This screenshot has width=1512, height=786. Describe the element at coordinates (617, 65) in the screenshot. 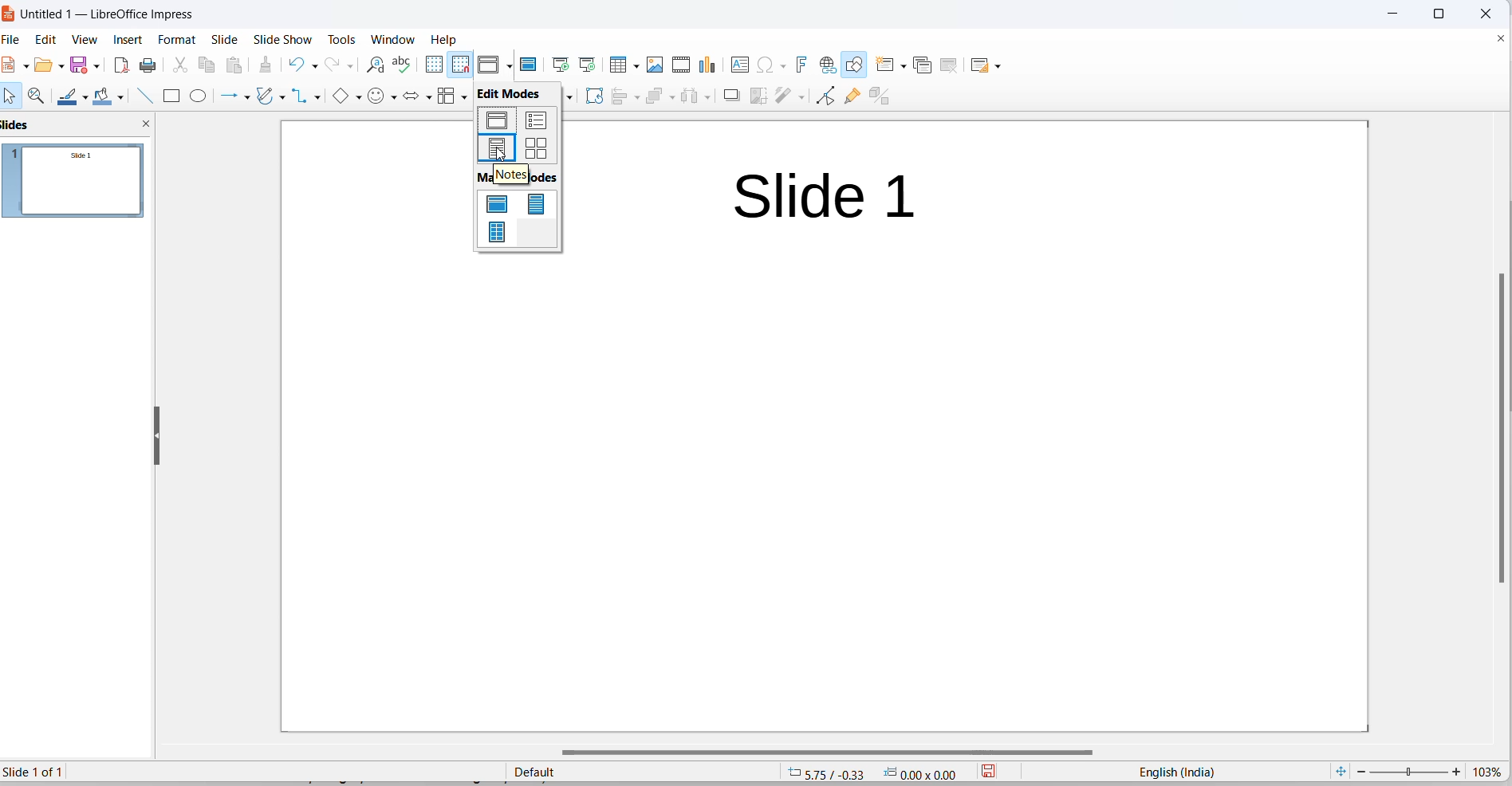

I see `insert table` at that location.